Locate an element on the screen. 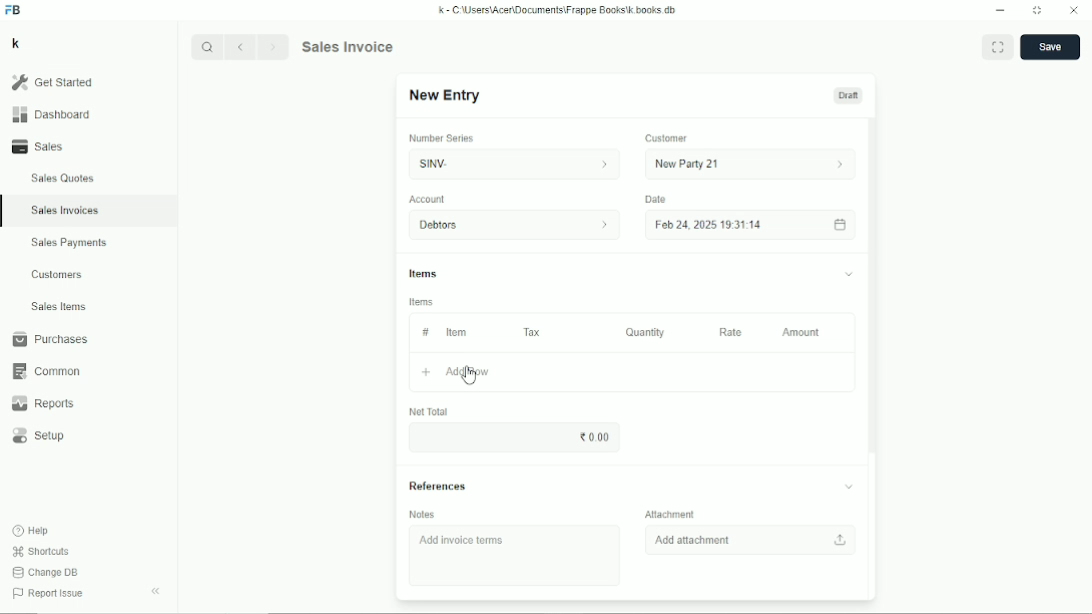 The height and width of the screenshot is (614, 1092). New party 21 is located at coordinates (752, 164).